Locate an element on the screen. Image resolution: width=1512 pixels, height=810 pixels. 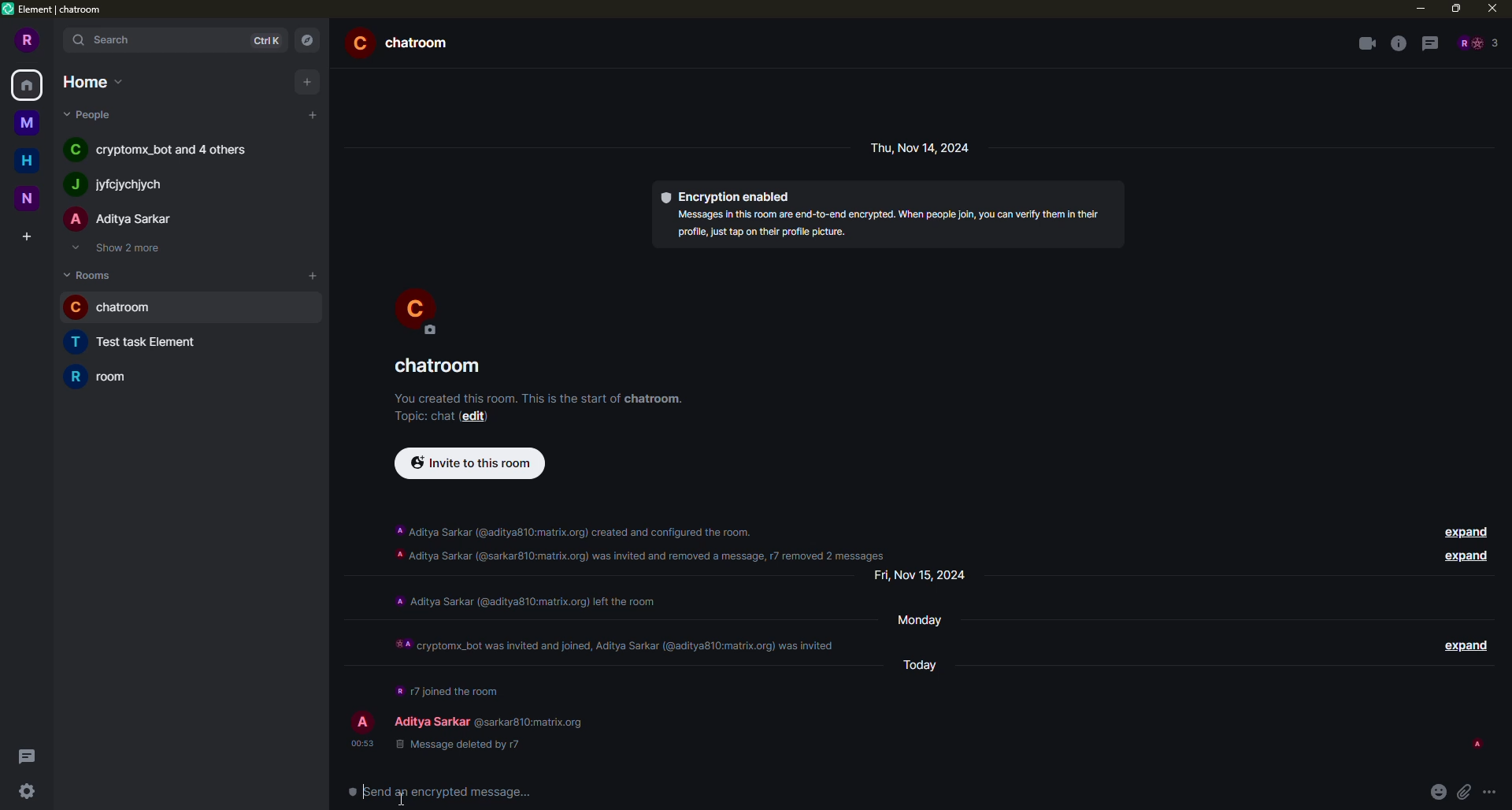
type is located at coordinates (447, 793).